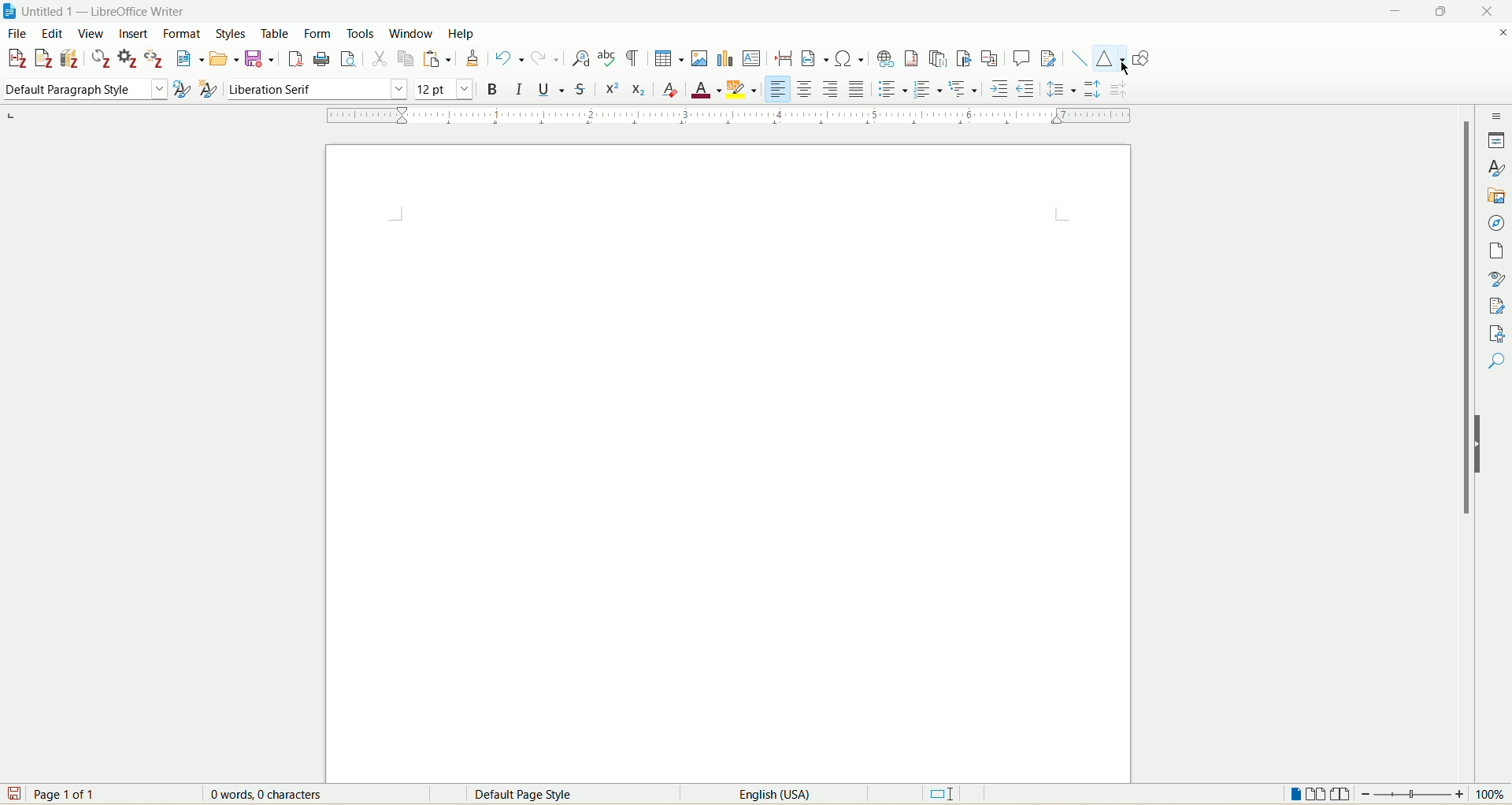  What do you see at coordinates (127, 58) in the screenshot?
I see `document preferences` at bounding box center [127, 58].